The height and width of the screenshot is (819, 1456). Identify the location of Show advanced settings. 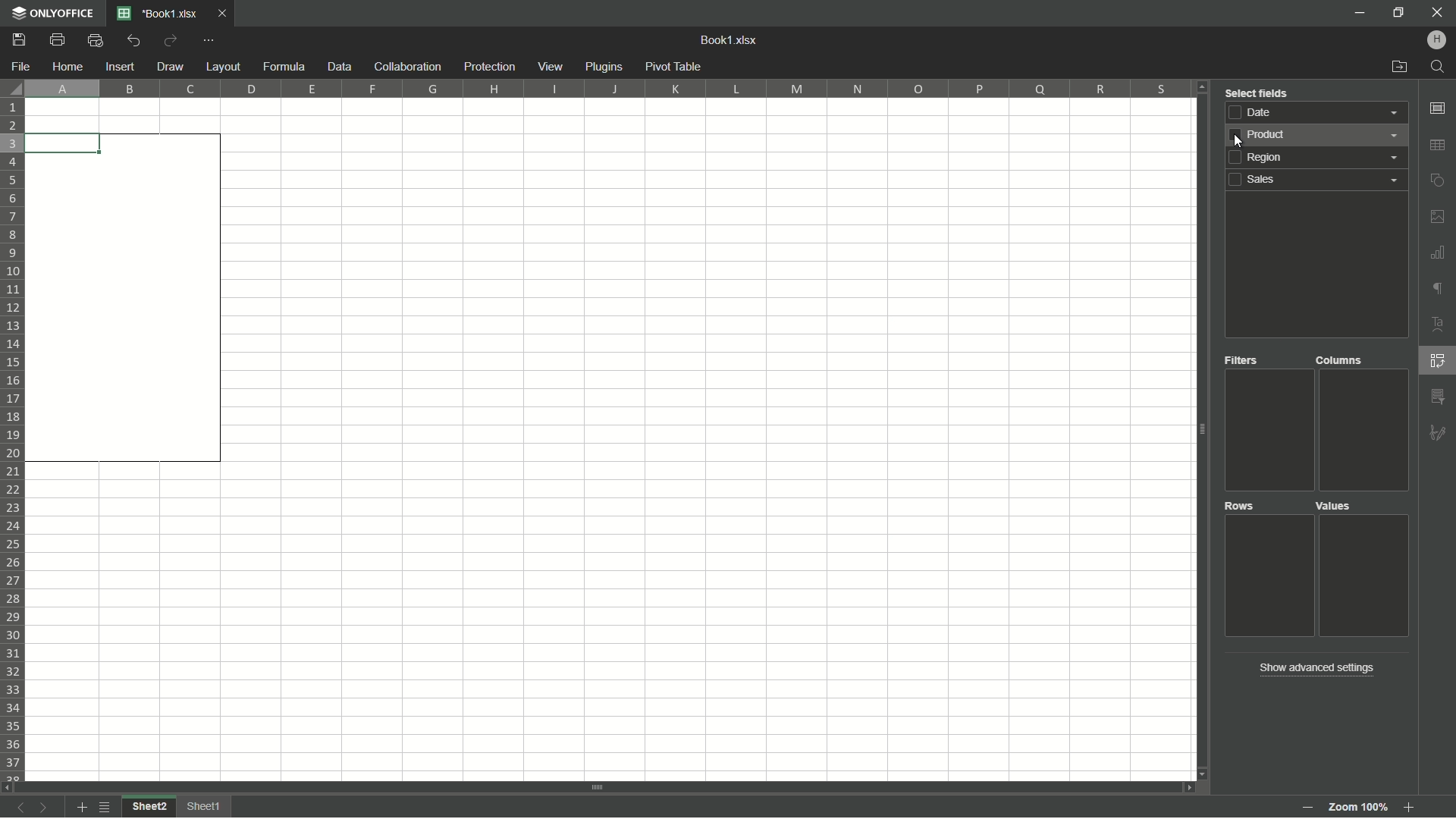
(1314, 667).